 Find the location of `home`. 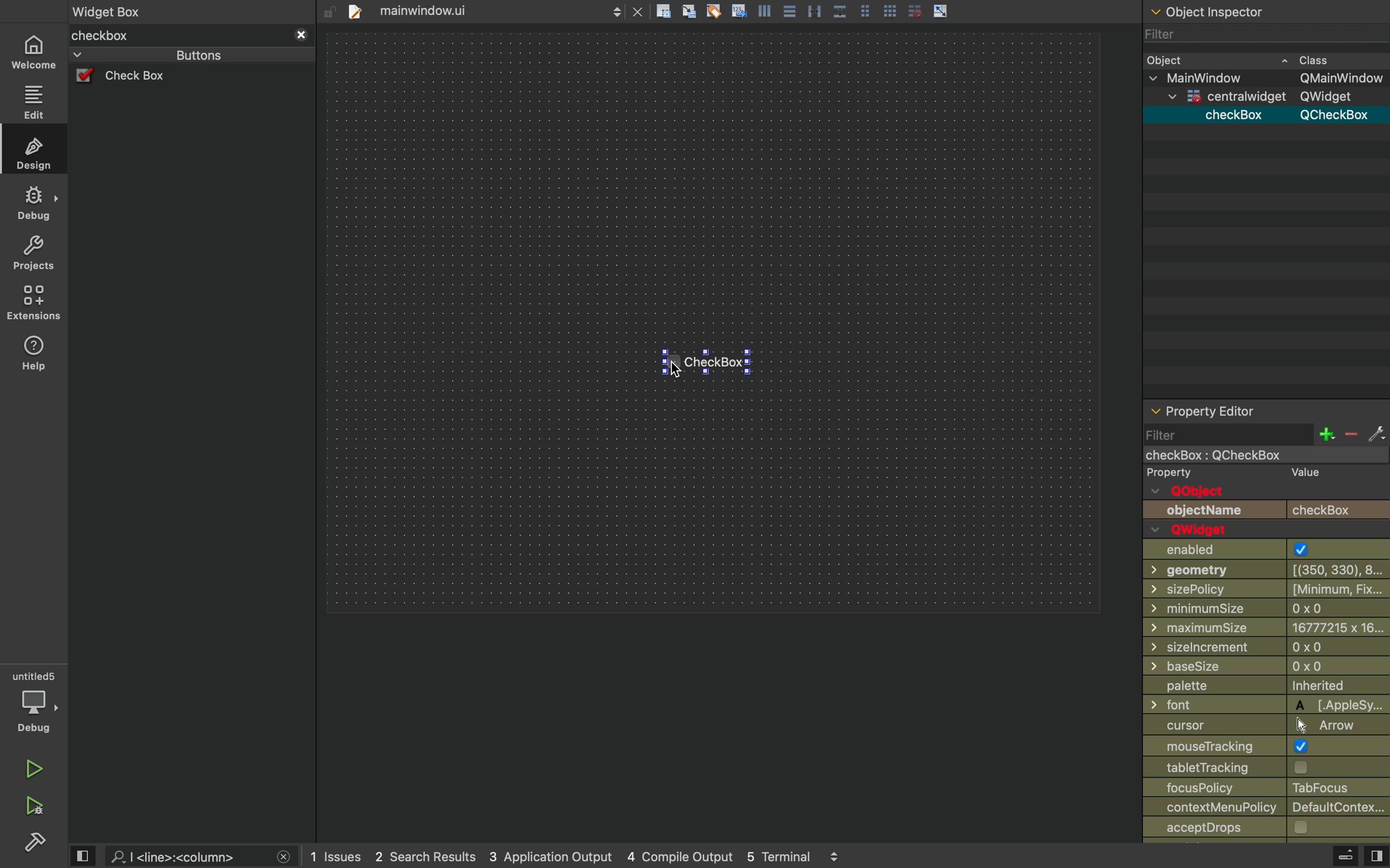

home is located at coordinates (34, 51).